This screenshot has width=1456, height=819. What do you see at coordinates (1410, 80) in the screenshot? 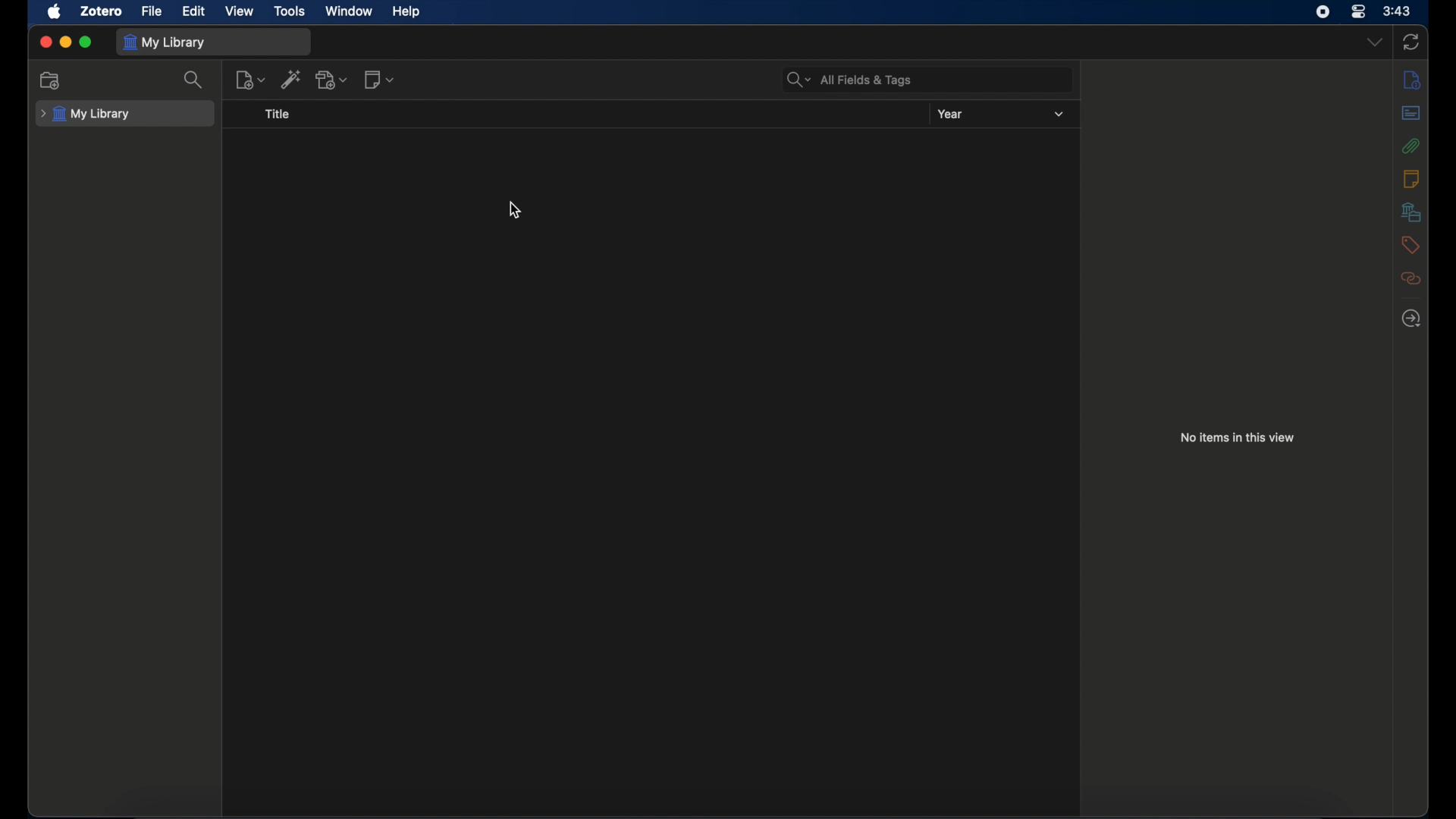
I see `info` at bounding box center [1410, 80].